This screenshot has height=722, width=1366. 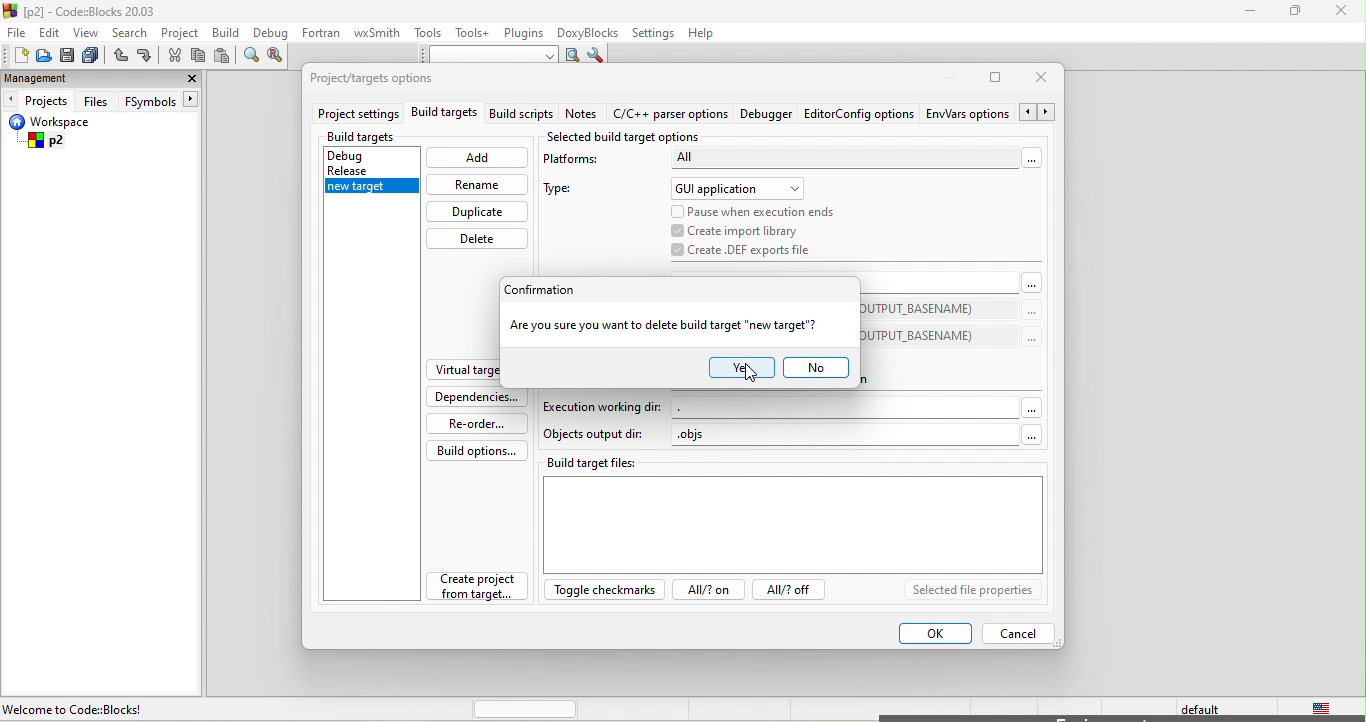 What do you see at coordinates (272, 35) in the screenshot?
I see `debug` at bounding box center [272, 35].